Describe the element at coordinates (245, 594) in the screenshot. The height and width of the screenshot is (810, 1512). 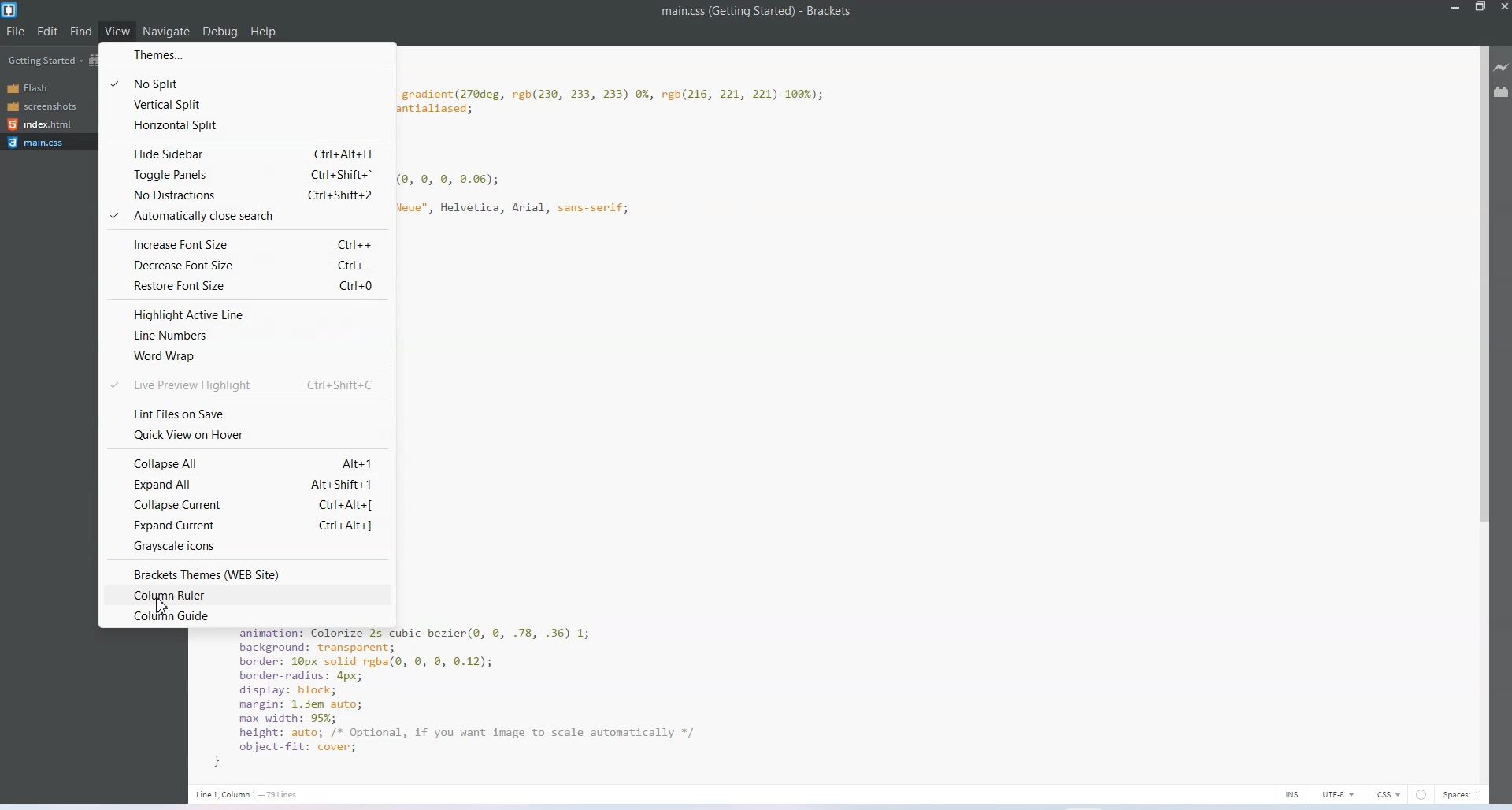
I see `Column Ruler` at that location.